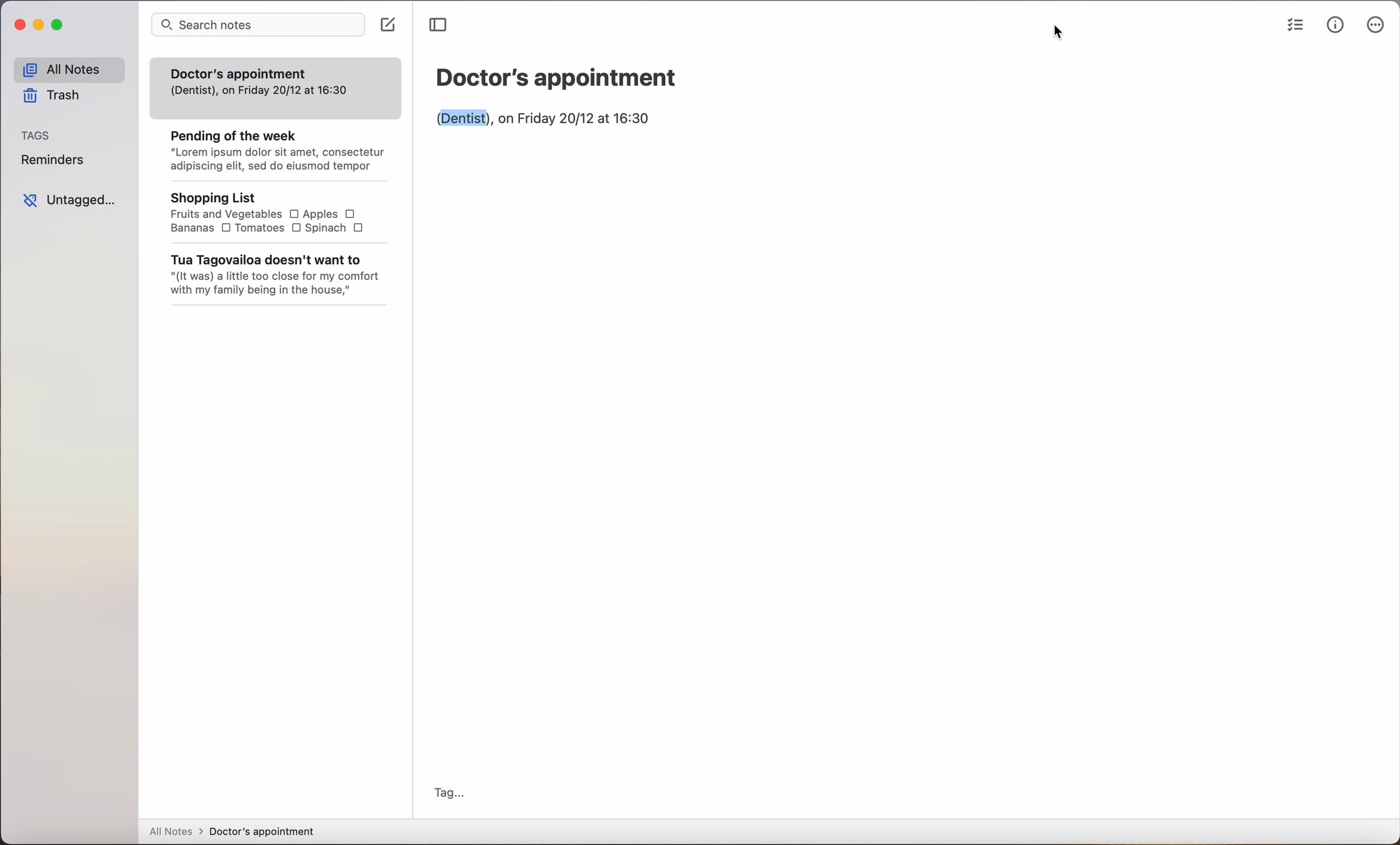 This screenshot has height=845, width=1400. I want to click on tag, so click(449, 791).